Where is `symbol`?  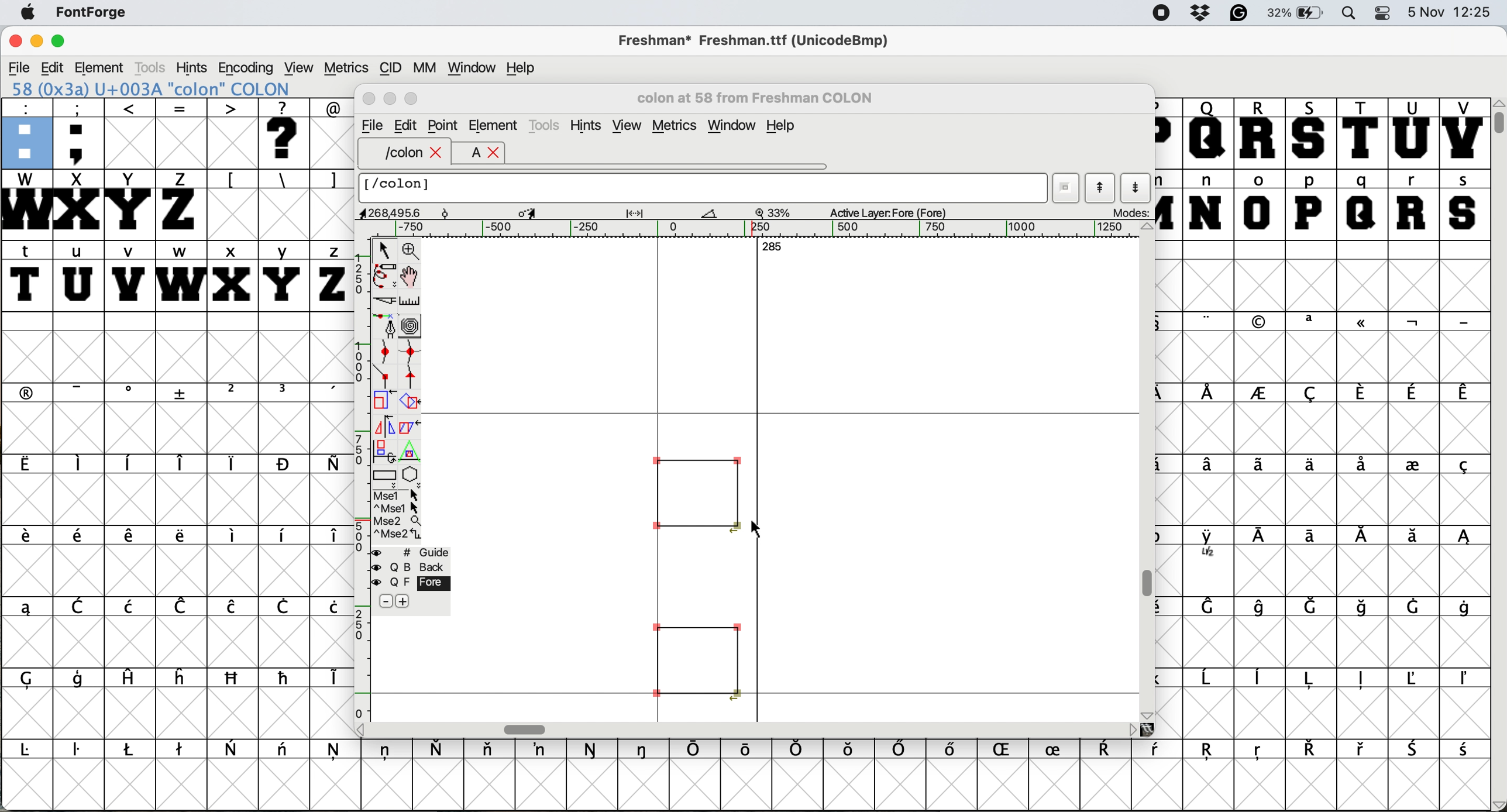 symbol is located at coordinates (1418, 678).